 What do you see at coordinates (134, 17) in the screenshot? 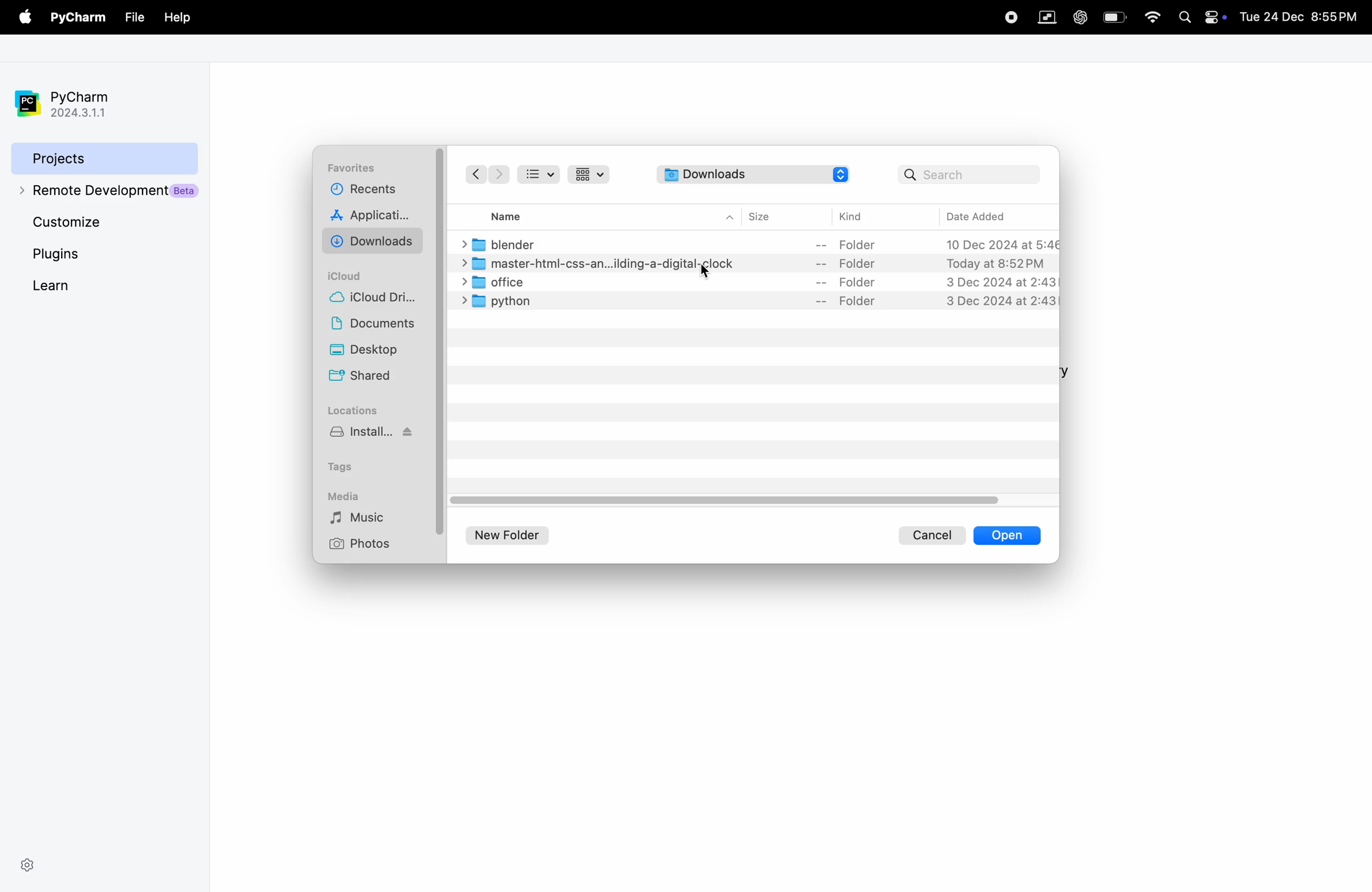
I see `file` at bounding box center [134, 17].